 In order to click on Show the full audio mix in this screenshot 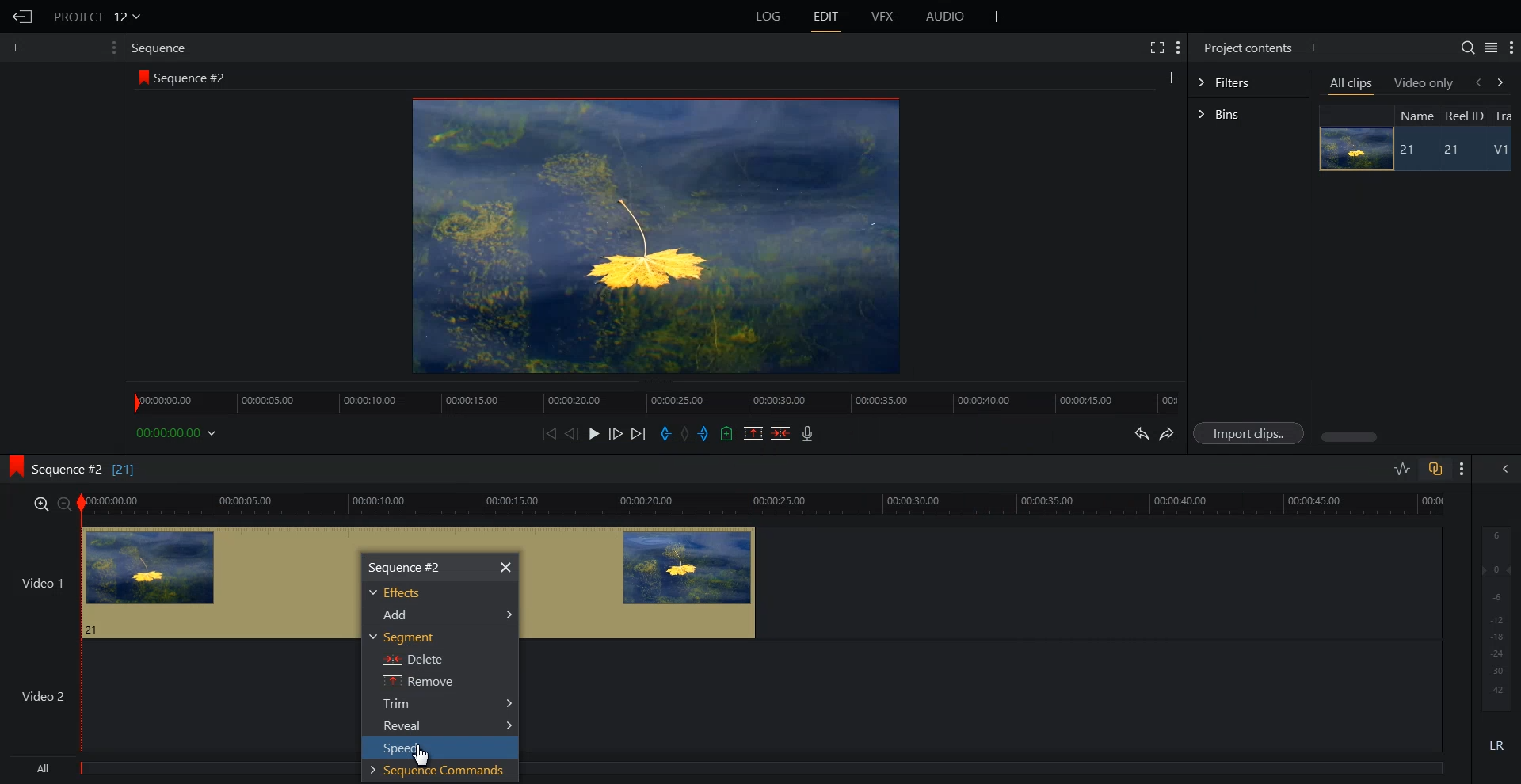, I will do `click(1501, 469)`.